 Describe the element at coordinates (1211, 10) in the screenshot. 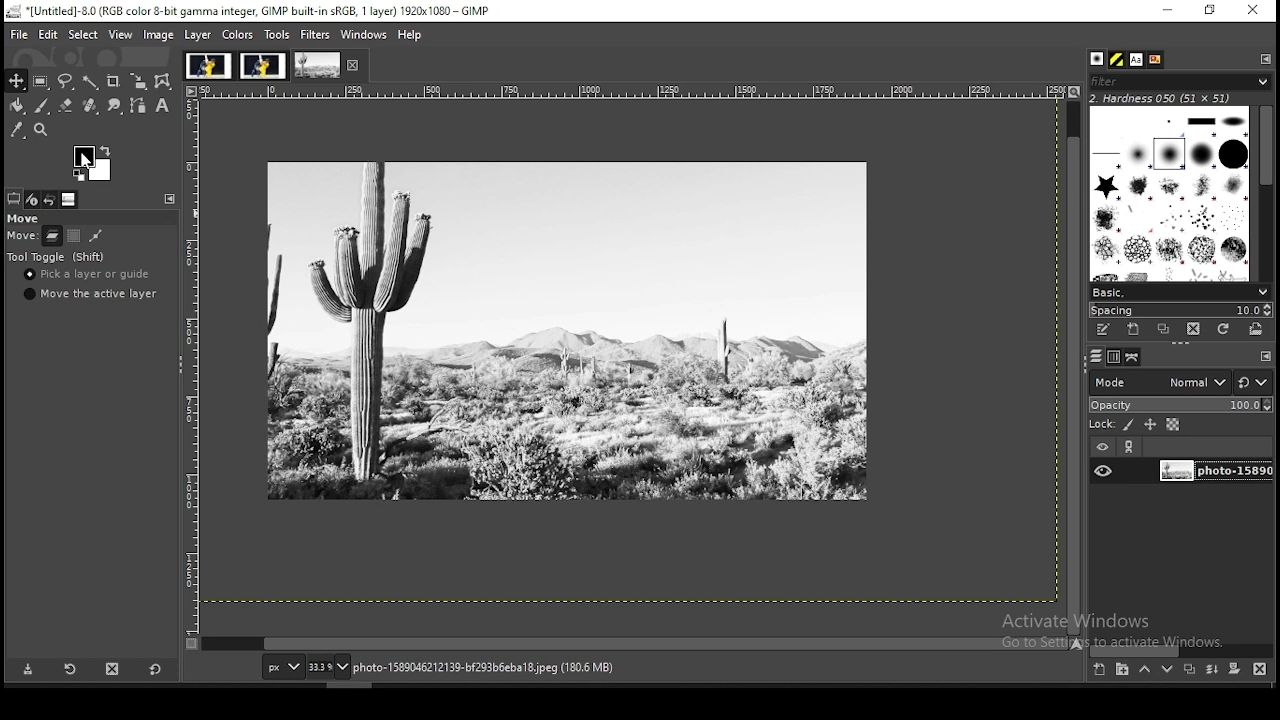

I see `restore` at that location.